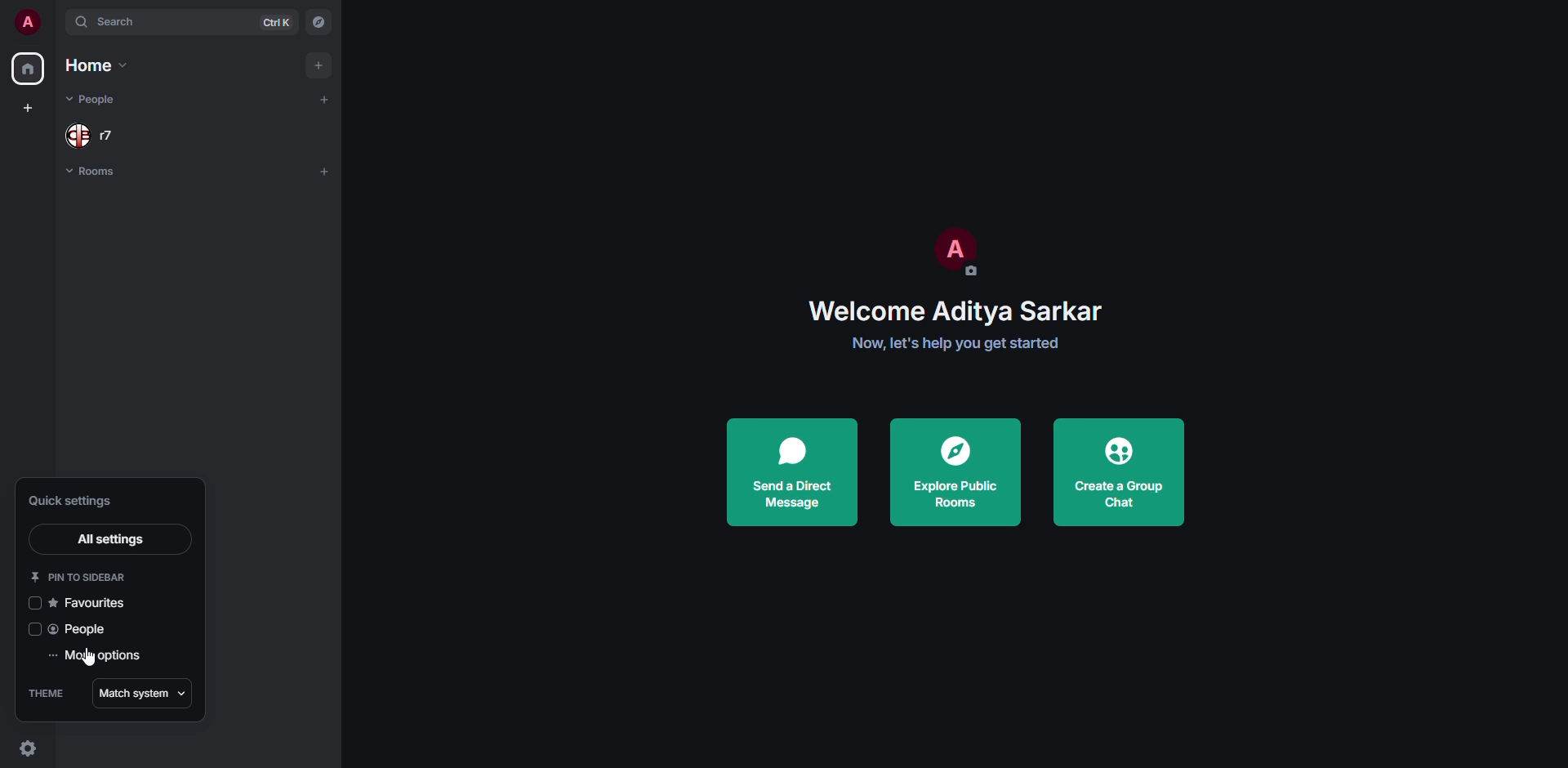 This screenshot has height=768, width=1568. What do you see at coordinates (27, 70) in the screenshot?
I see `home` at bounding box center [27, 70].